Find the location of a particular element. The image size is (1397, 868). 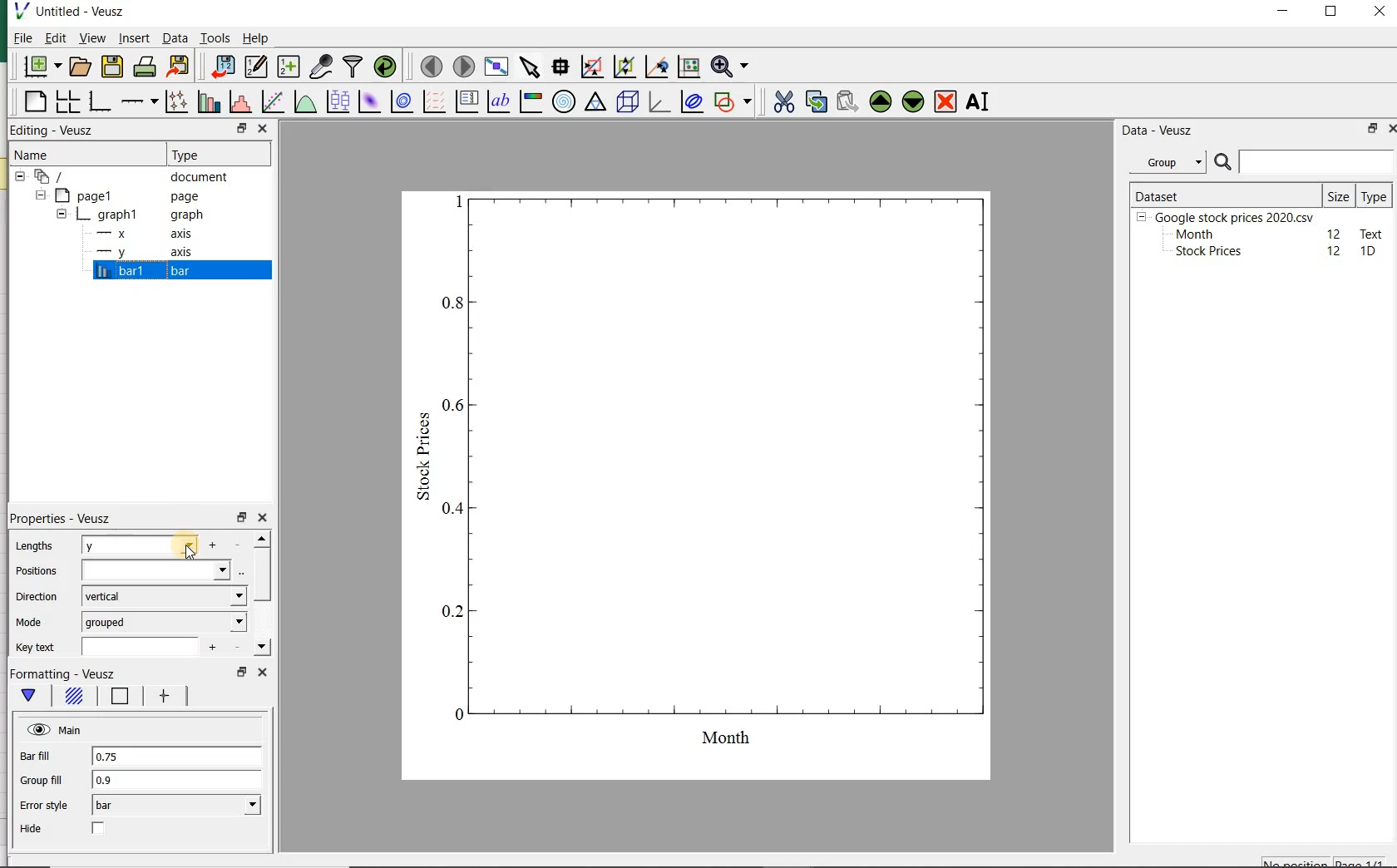

remove the selected widget is located at coordinates (946, 101).